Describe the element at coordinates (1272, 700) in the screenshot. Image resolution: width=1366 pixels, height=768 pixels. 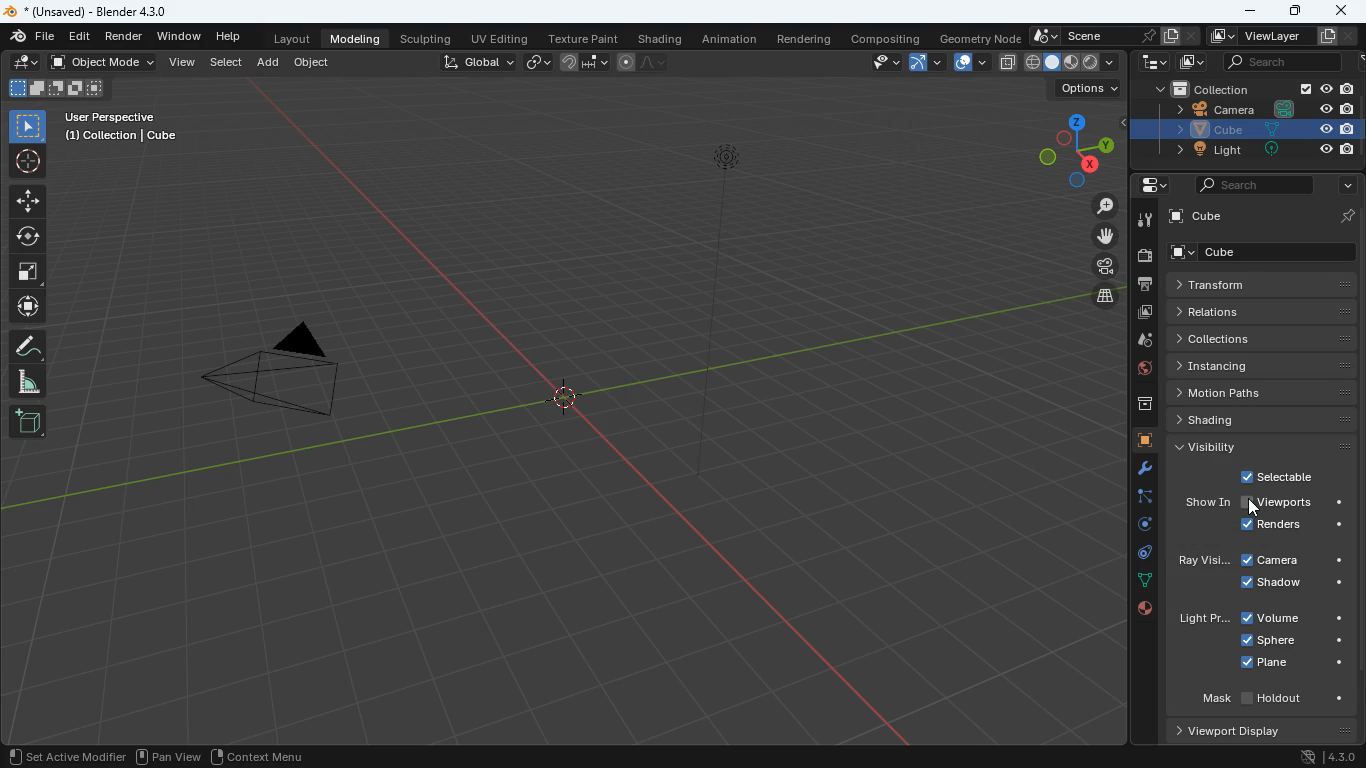
I see `mask` at that location.